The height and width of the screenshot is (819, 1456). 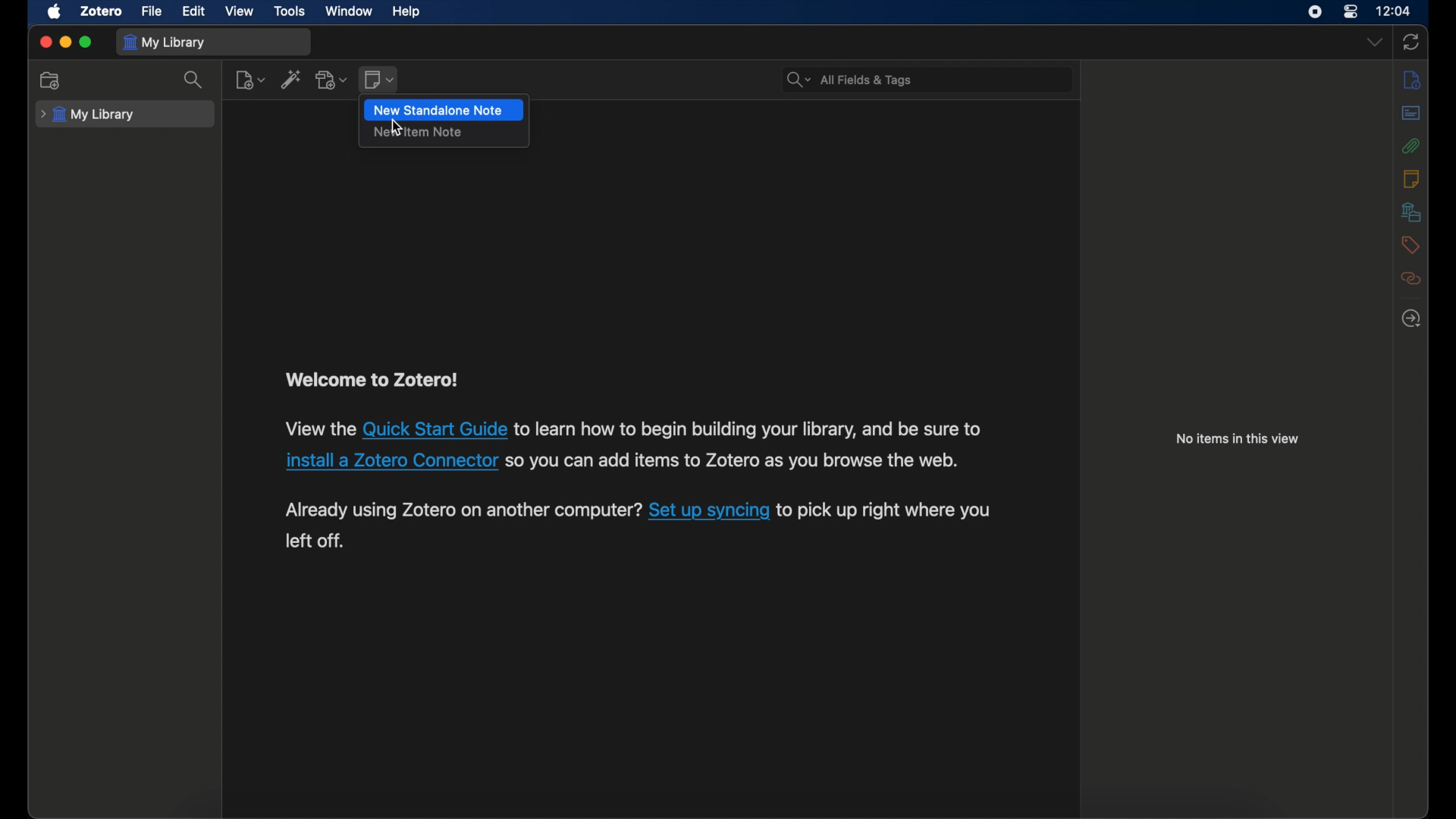 What do you see at coordinates (1410, 146) in the screenshot?
I see `attachments` at bounding box center [1410, 146].